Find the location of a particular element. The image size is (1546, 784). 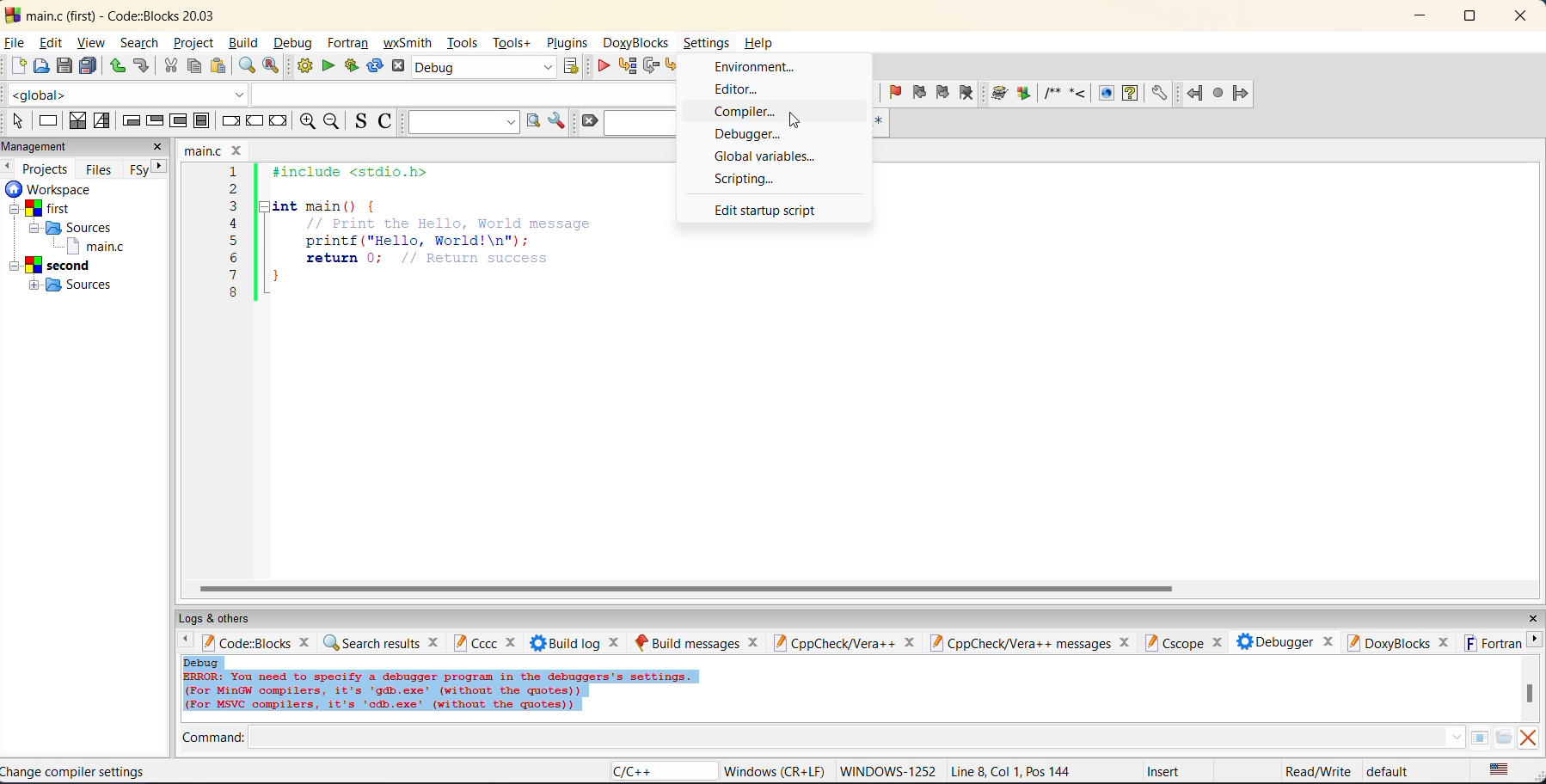

Read/Write is located at coordinates (1316, 770).